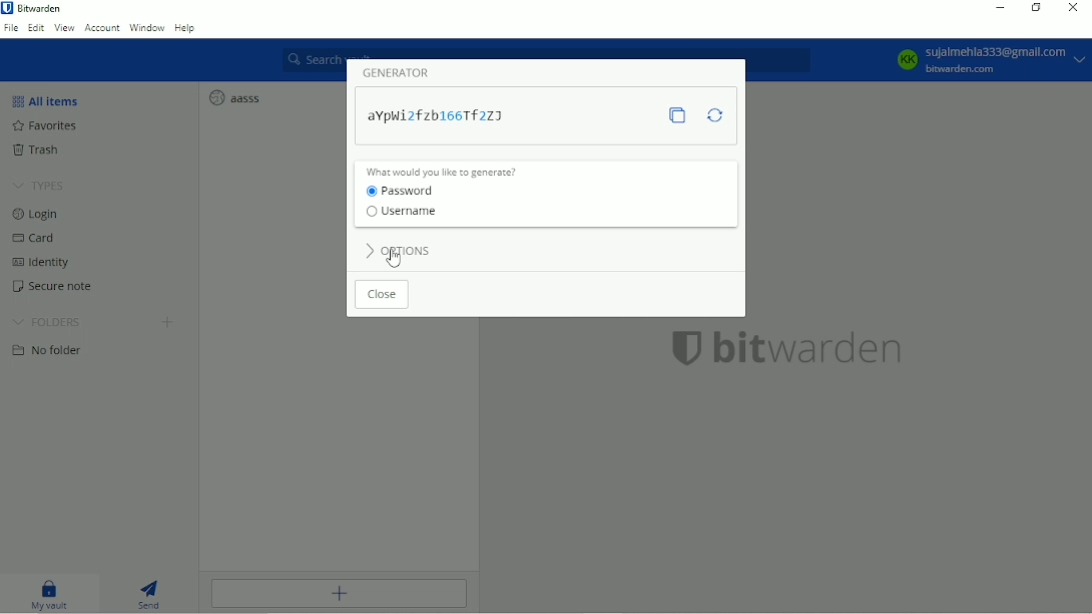 Image resolution: width=1092 pixels, height=614 pixels. Describe the element at coordinates (36, 29) in the screenshot. I see `Edit` at that location.